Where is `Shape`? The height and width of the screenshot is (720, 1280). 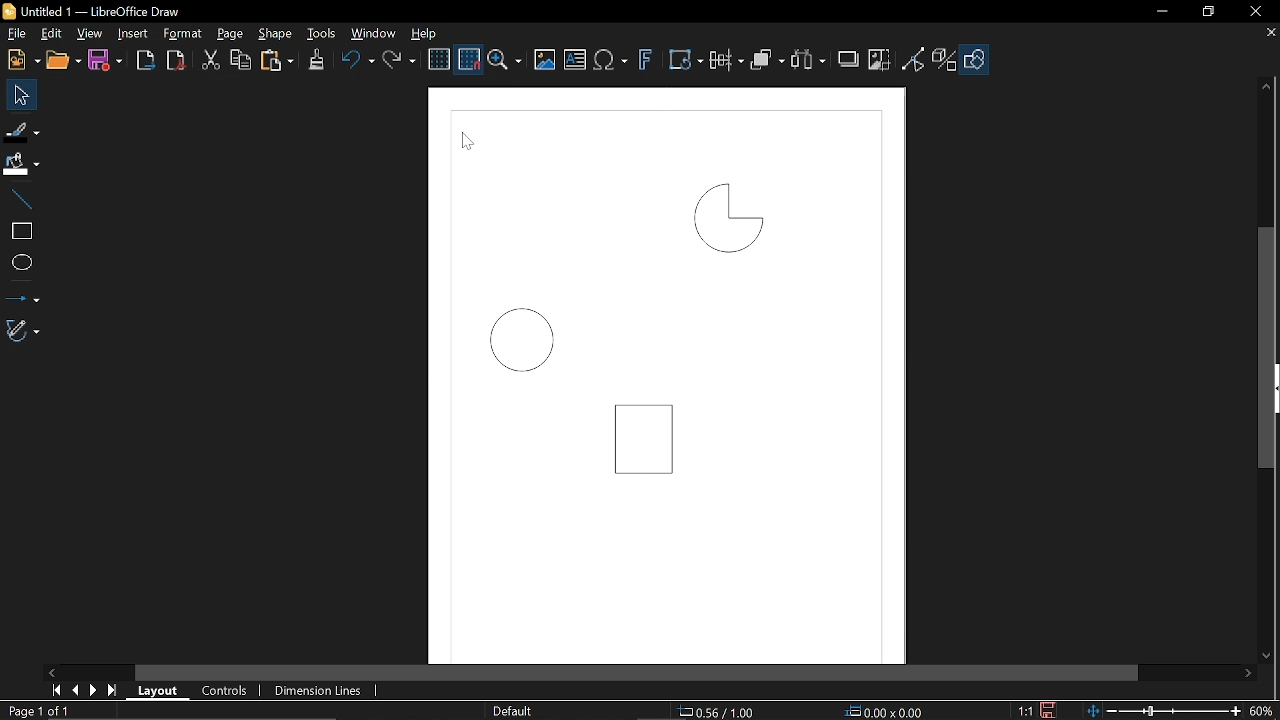
Shape is located at coordinates (275, 34).